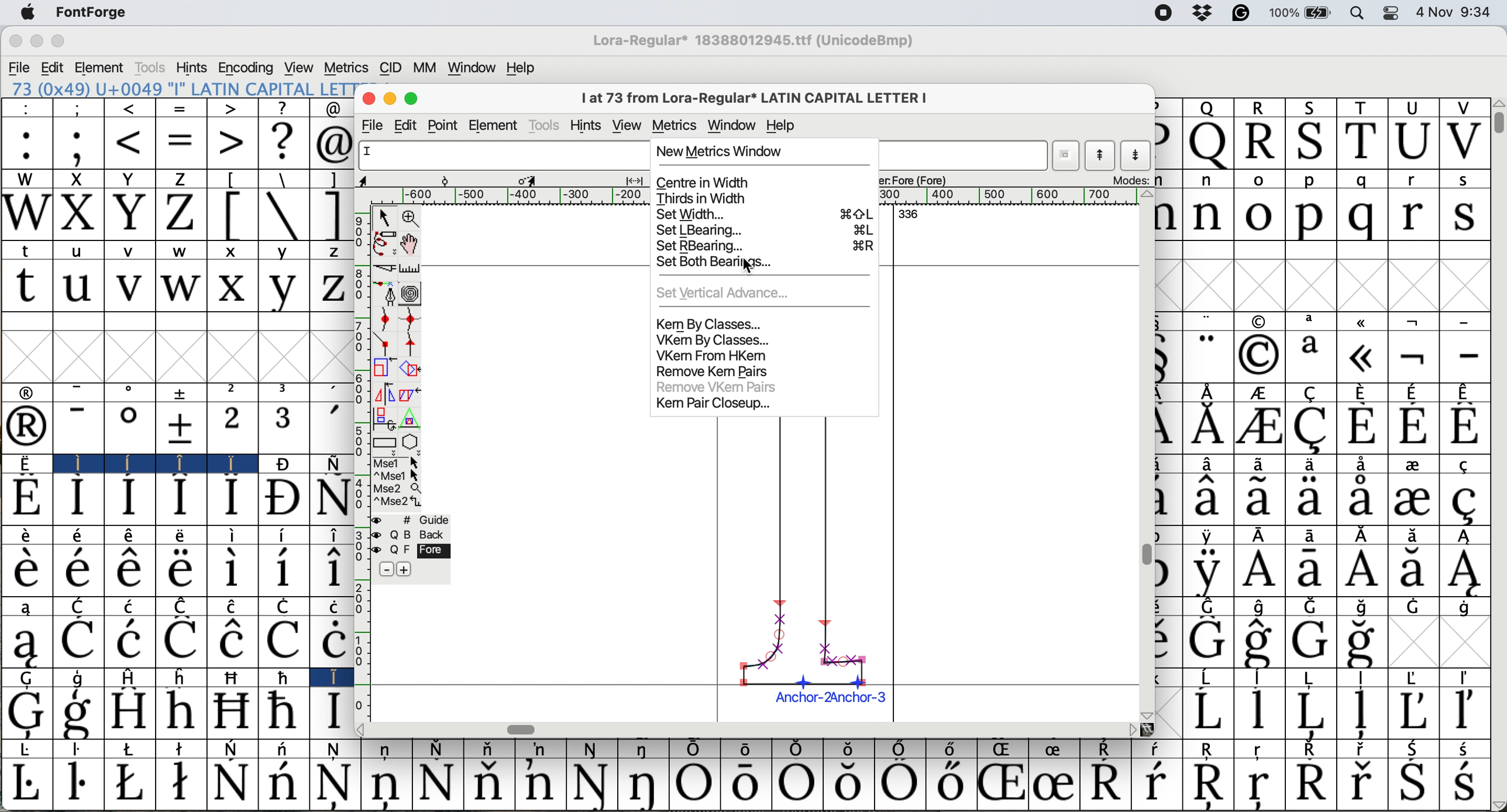 The width and height of the screenshot is (1507, 812). I want to click on =, so click(183, 109).